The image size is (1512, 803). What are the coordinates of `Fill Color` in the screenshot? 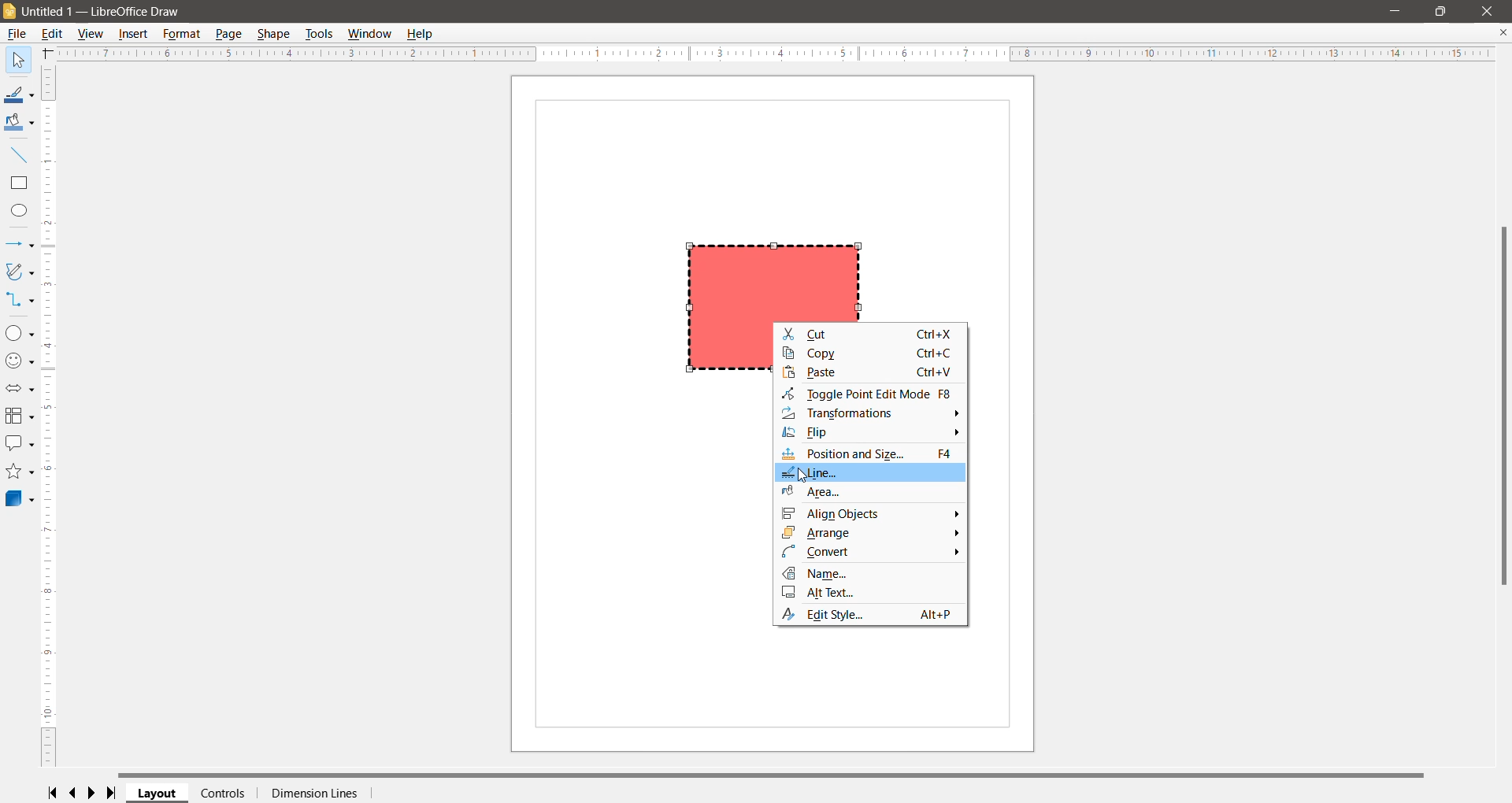 It's located at (20, 124).